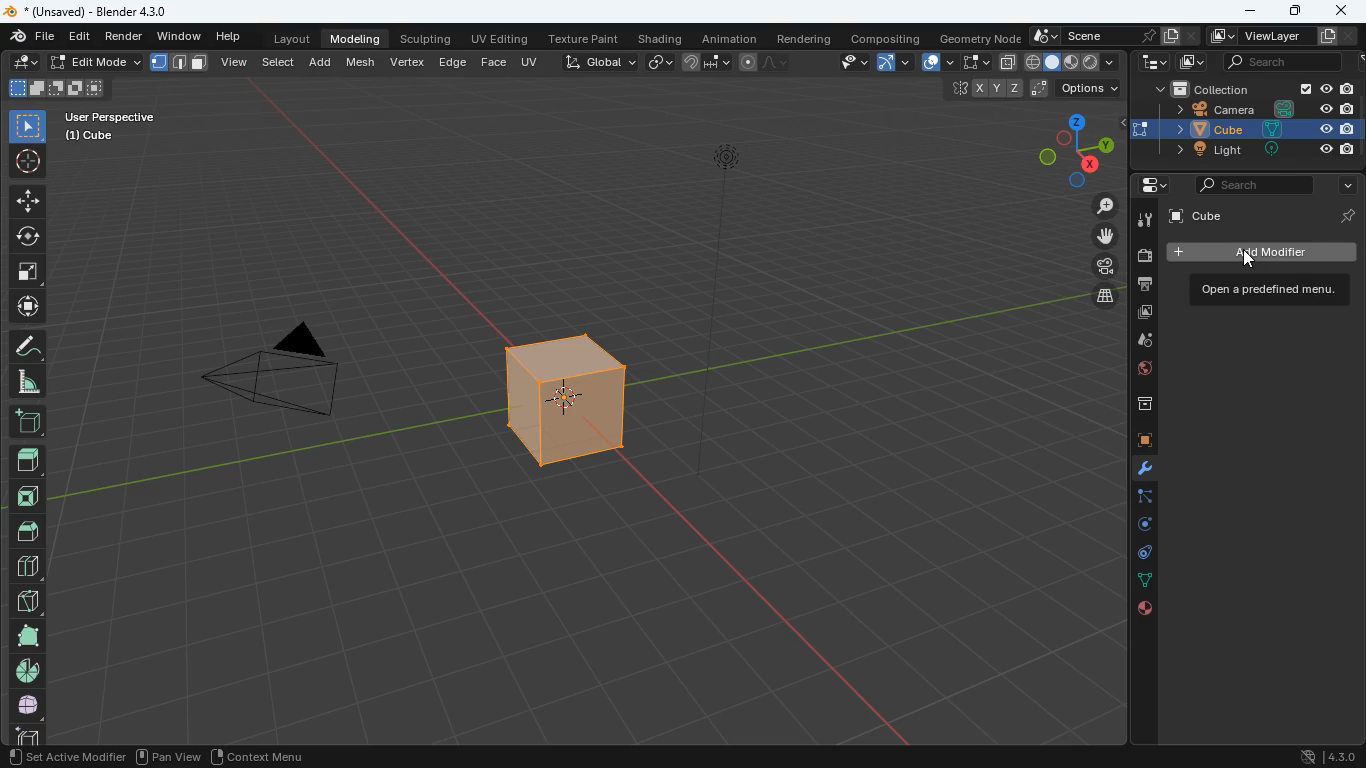  What do you see at coordinates (1247, 10) in the screenshot?
I see `minimize` at bounding box center [1247, 10].